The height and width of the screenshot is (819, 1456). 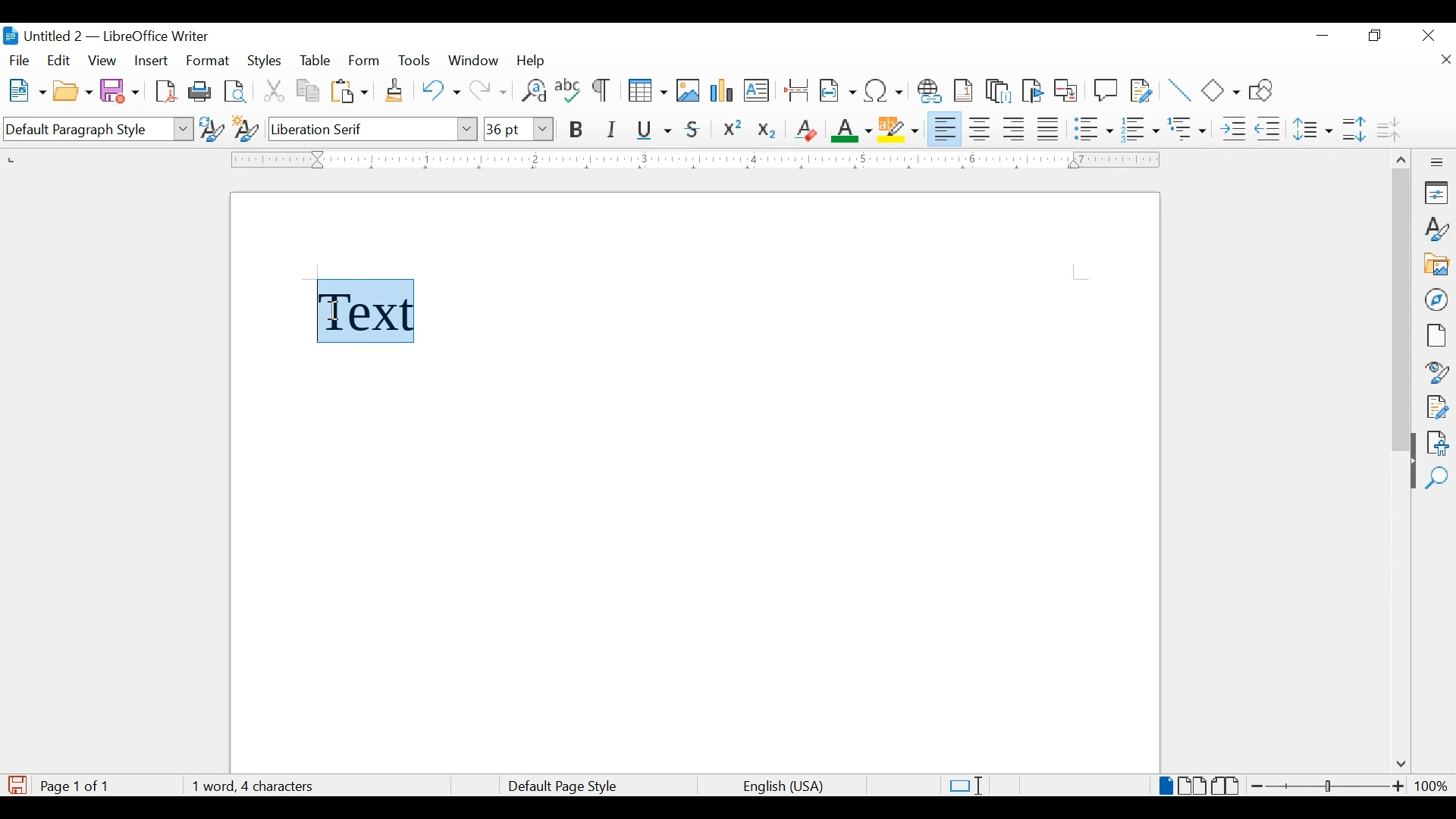 I want to click on insert text box, so click(x=756, y=90).